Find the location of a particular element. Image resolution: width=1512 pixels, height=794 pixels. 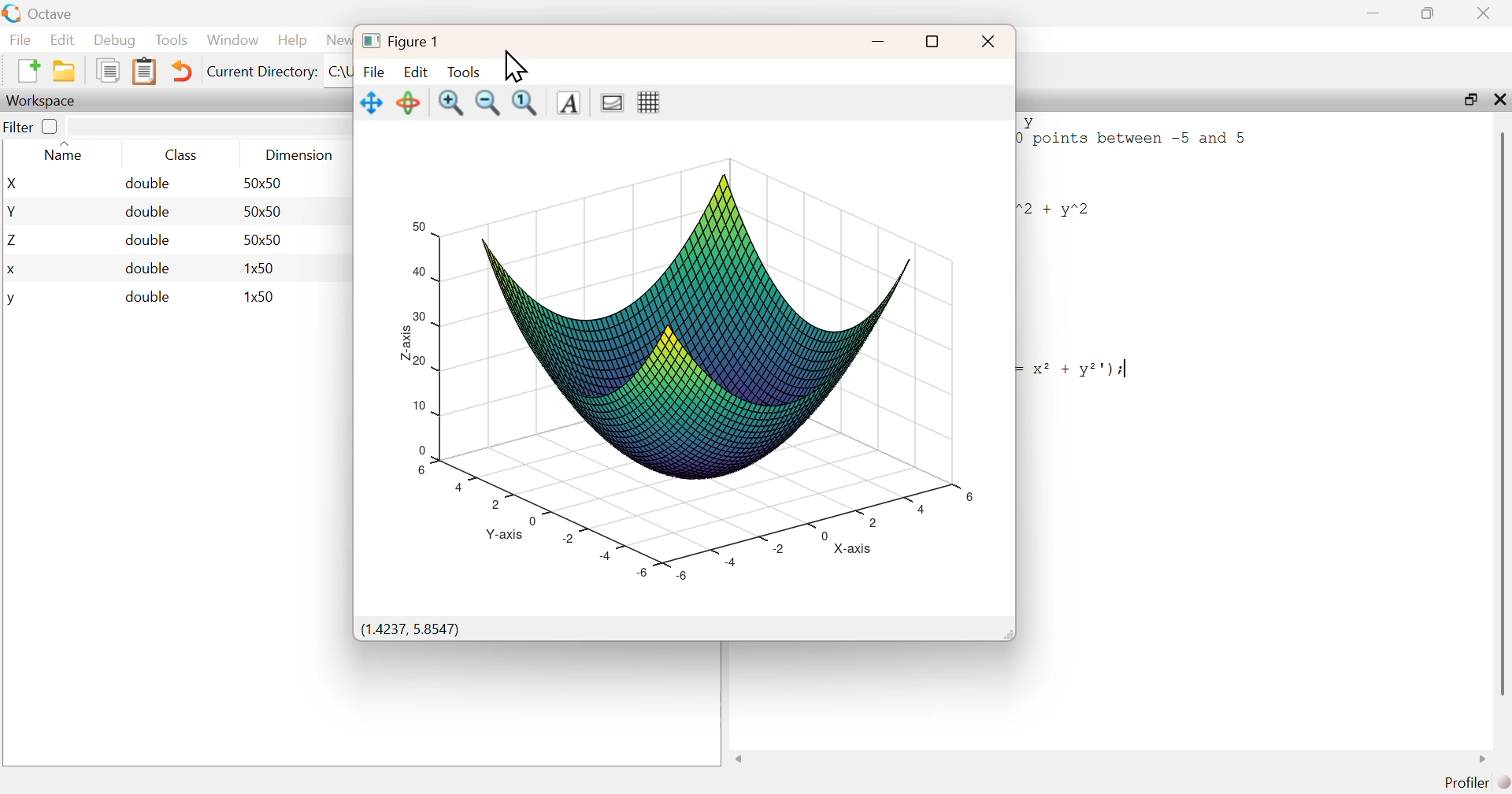

(1.4237, 5.8547) is located at coordinates (409, 630).